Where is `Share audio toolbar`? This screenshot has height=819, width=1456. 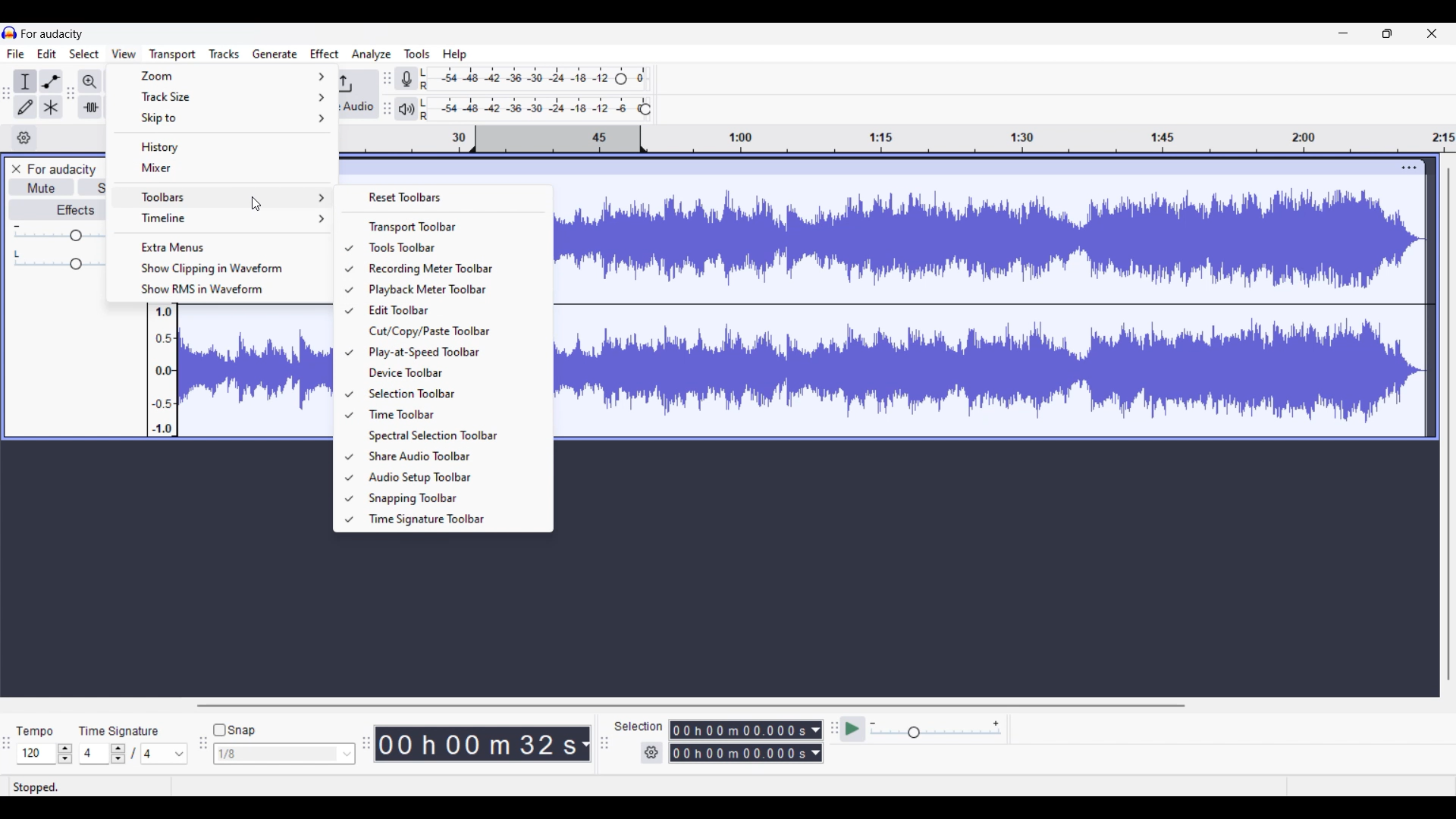
Share audio toolbar is located at coordinates (451, 456).